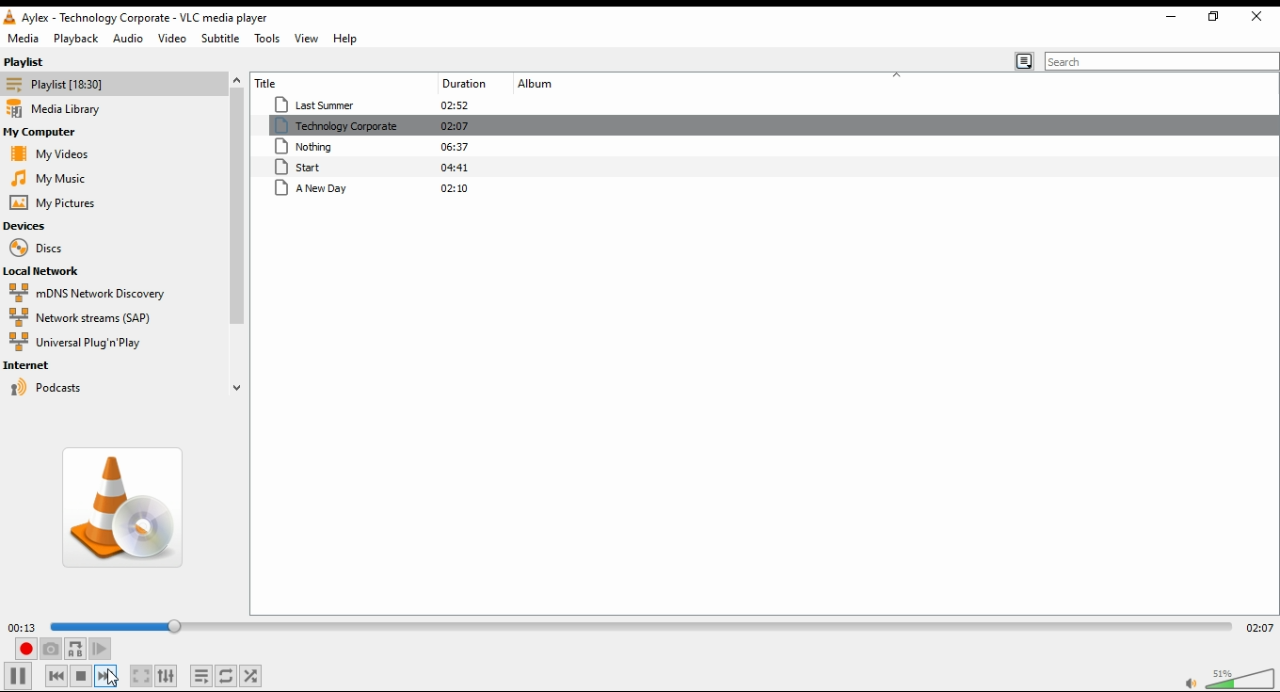  What do you see at coordinates (372, 167) in the screenshot?
I see `start` at bounding box center [372, 167].